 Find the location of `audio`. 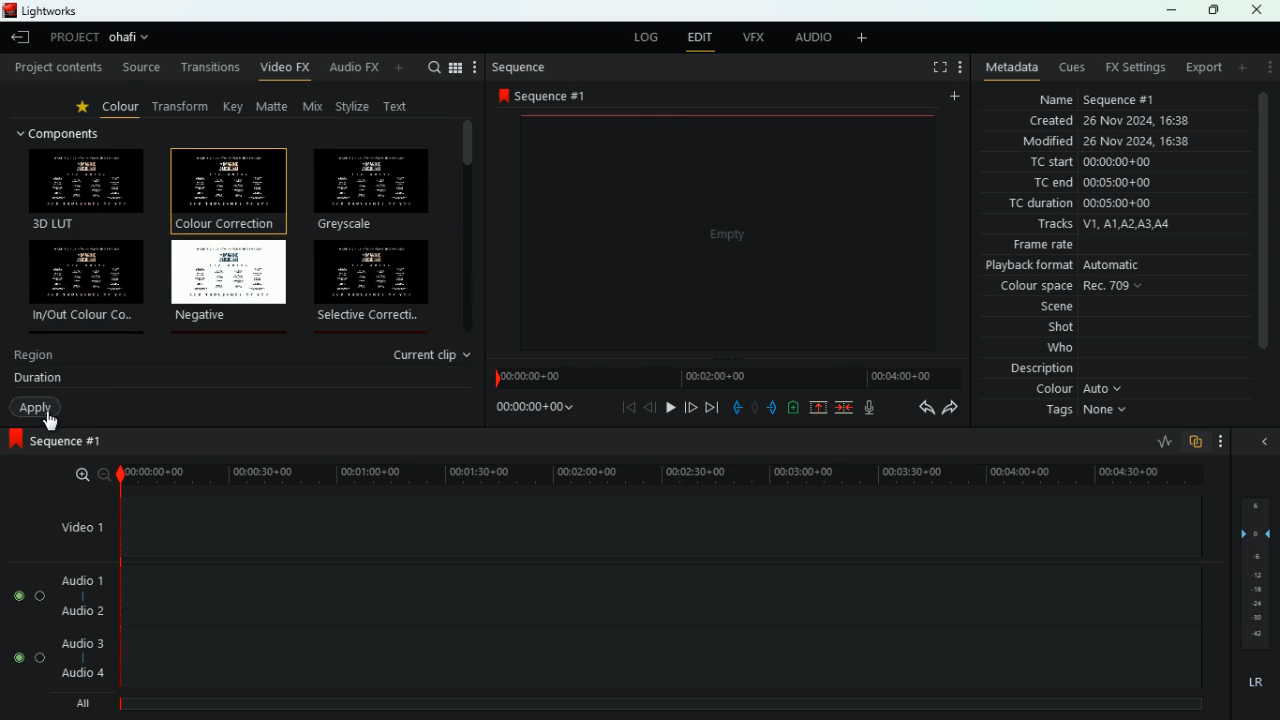

audio is located at coordinates (811, 38).